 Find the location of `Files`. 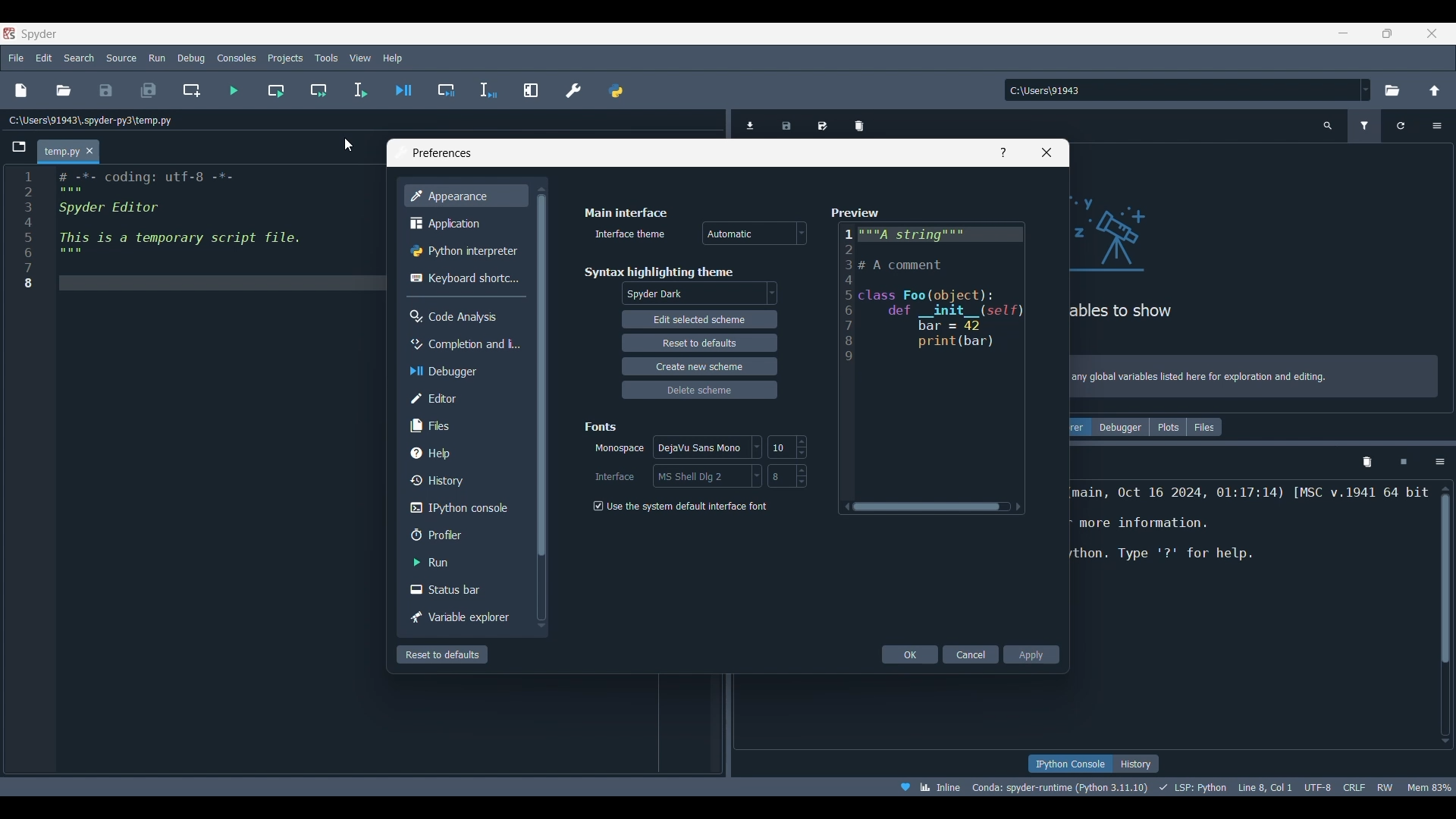

Files is located at coordinates (1204, 427).